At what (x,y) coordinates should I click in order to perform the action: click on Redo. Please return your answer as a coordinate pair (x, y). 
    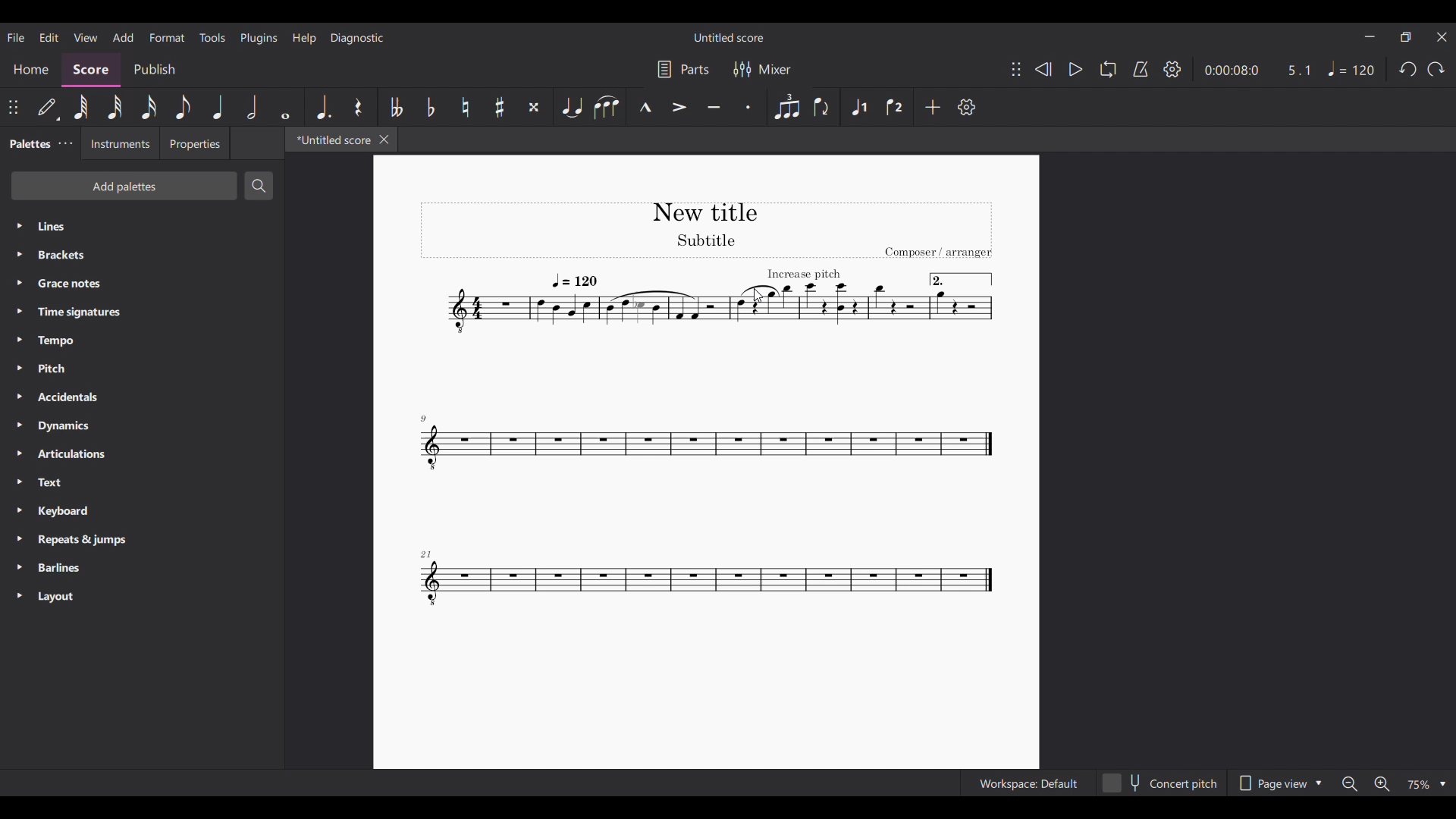
    Looking at the image, I should click on (1436, 69).